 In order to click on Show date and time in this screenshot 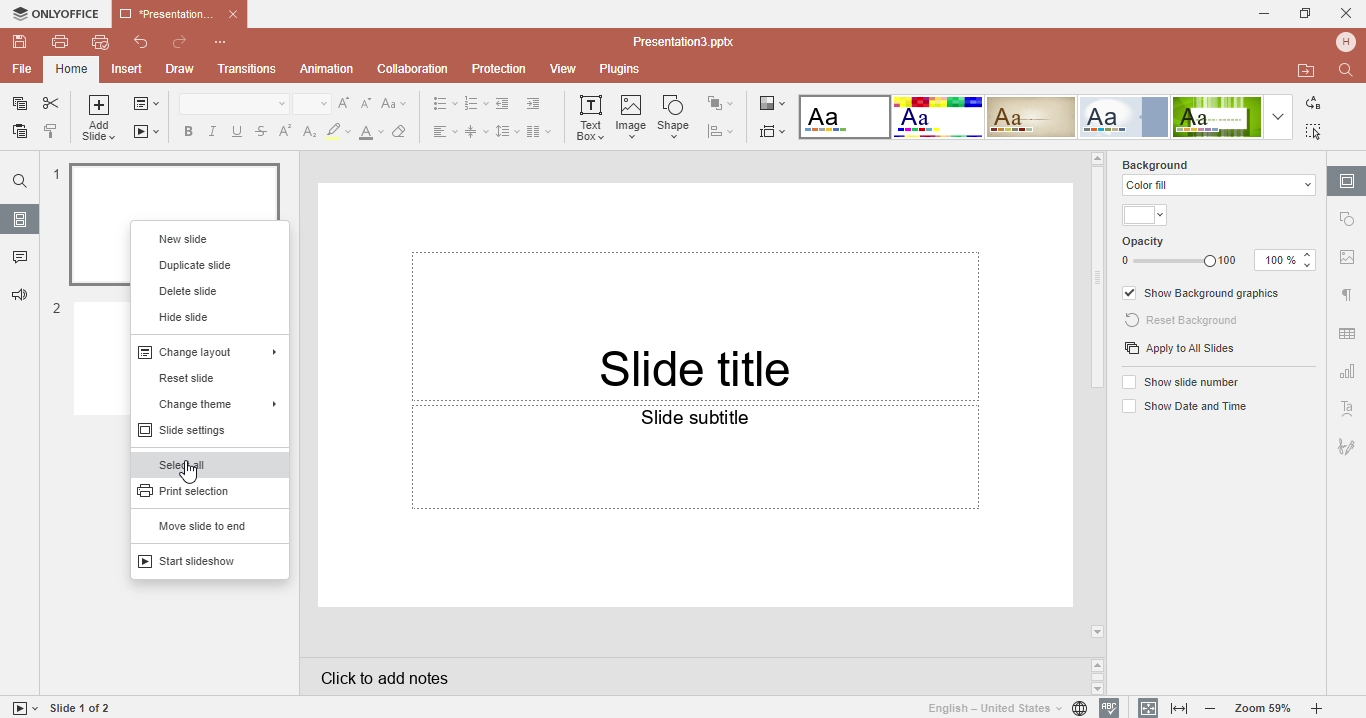, I will do `click(1182, 408)`.